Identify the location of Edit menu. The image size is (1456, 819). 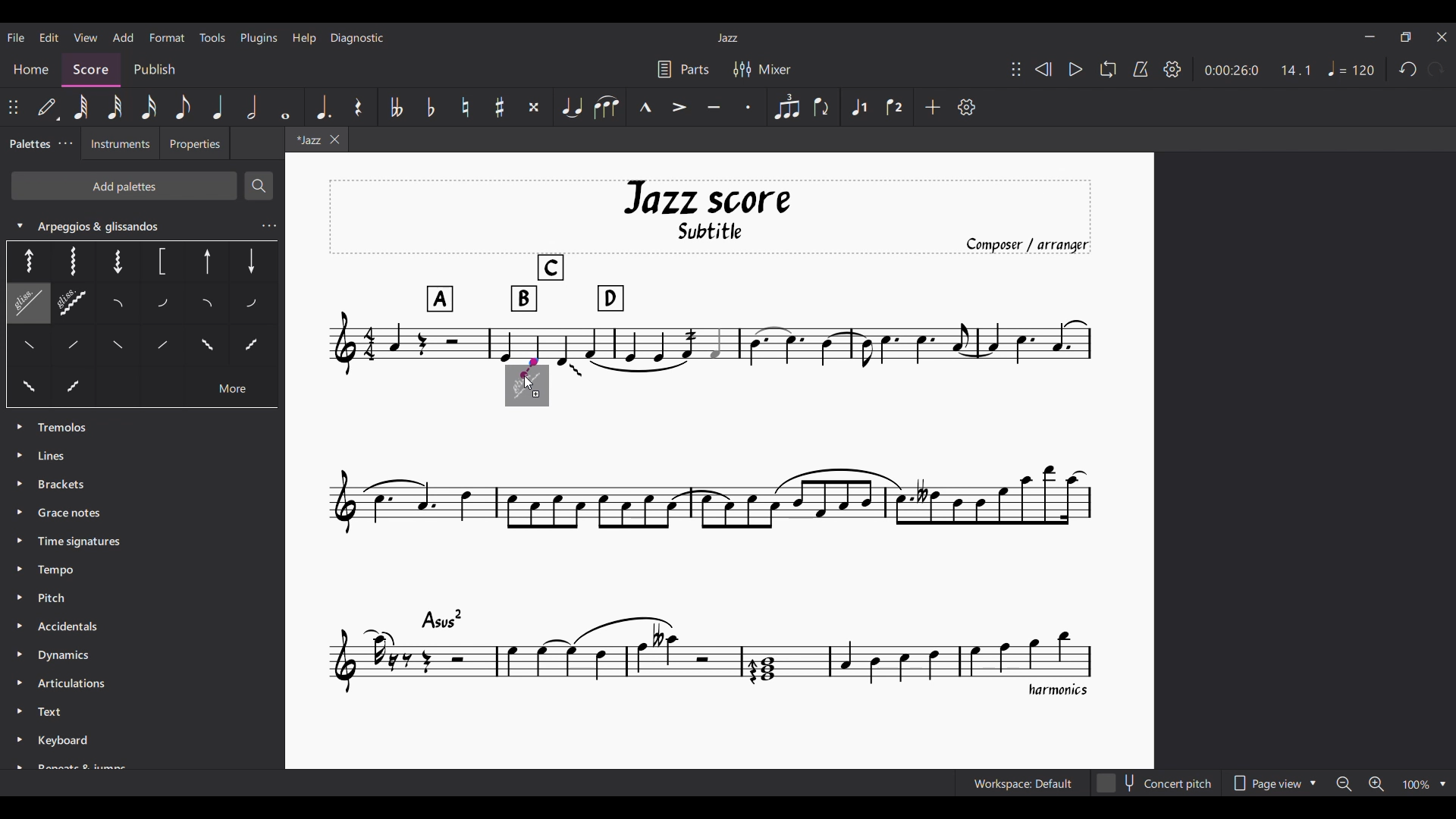
(49, 38).